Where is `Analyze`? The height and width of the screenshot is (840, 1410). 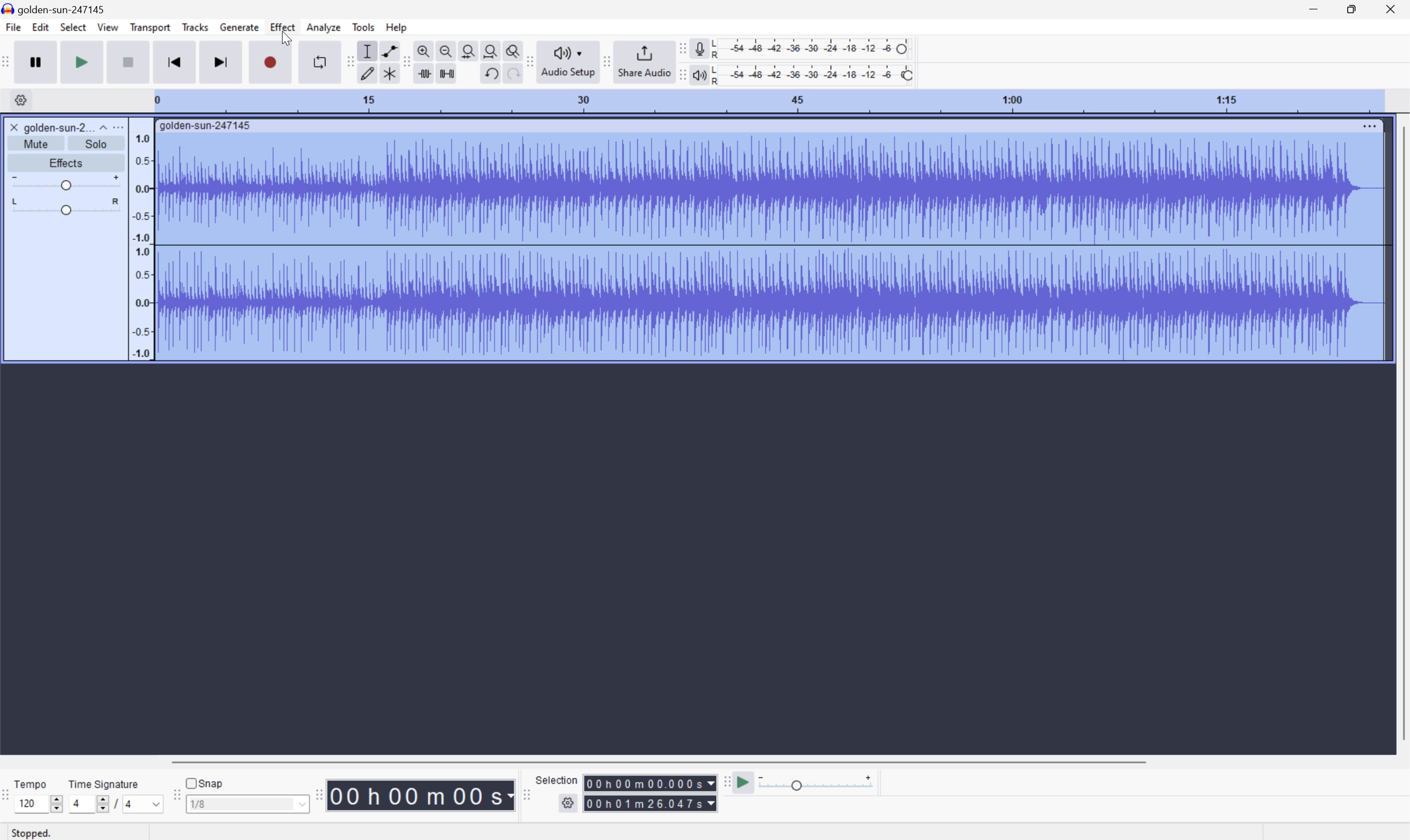
Analyze is located at coordinates (323, 27).